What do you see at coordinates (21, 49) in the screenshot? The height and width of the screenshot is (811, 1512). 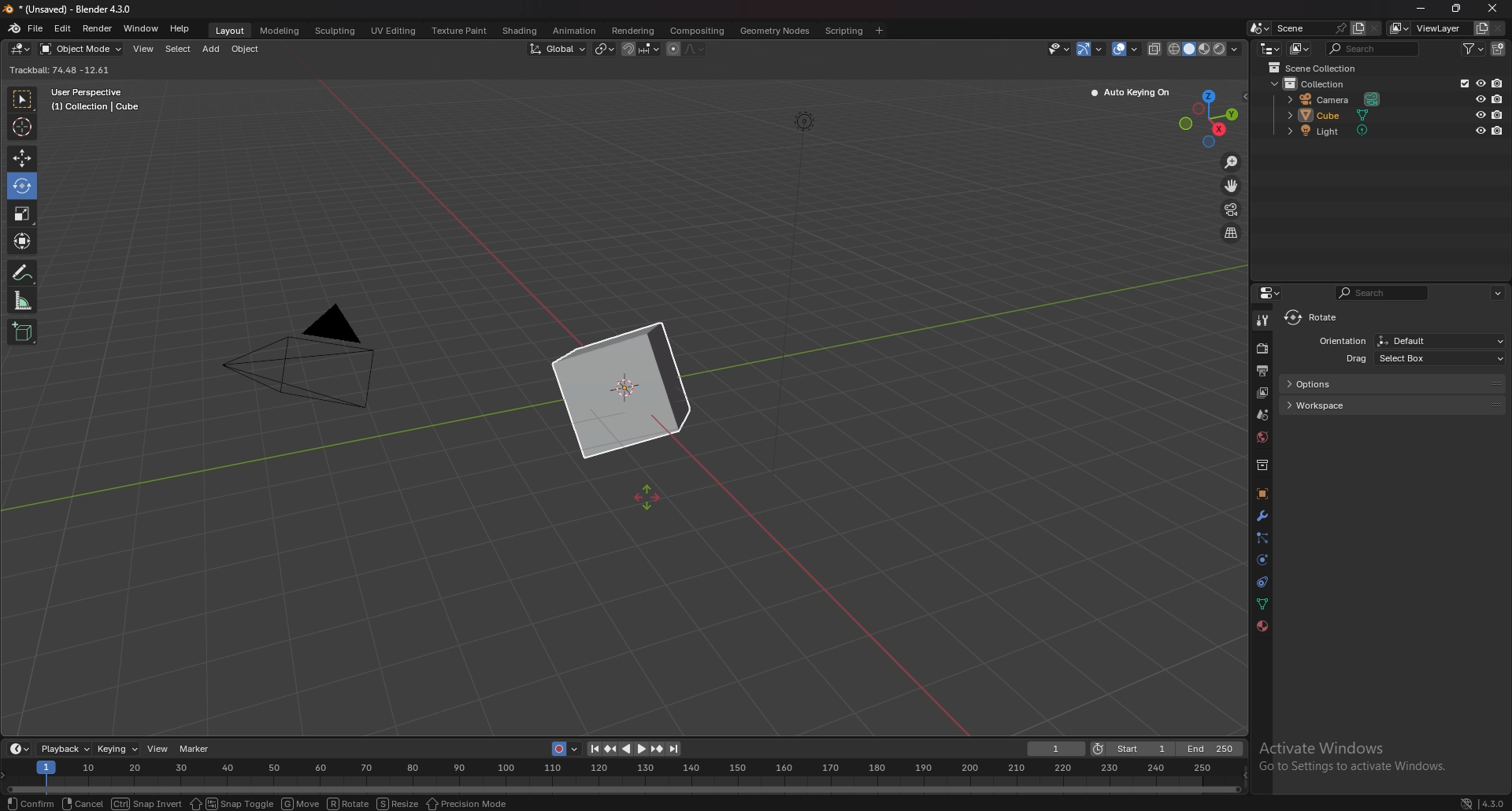 I see `editor type` at bounding box center [21, 49].